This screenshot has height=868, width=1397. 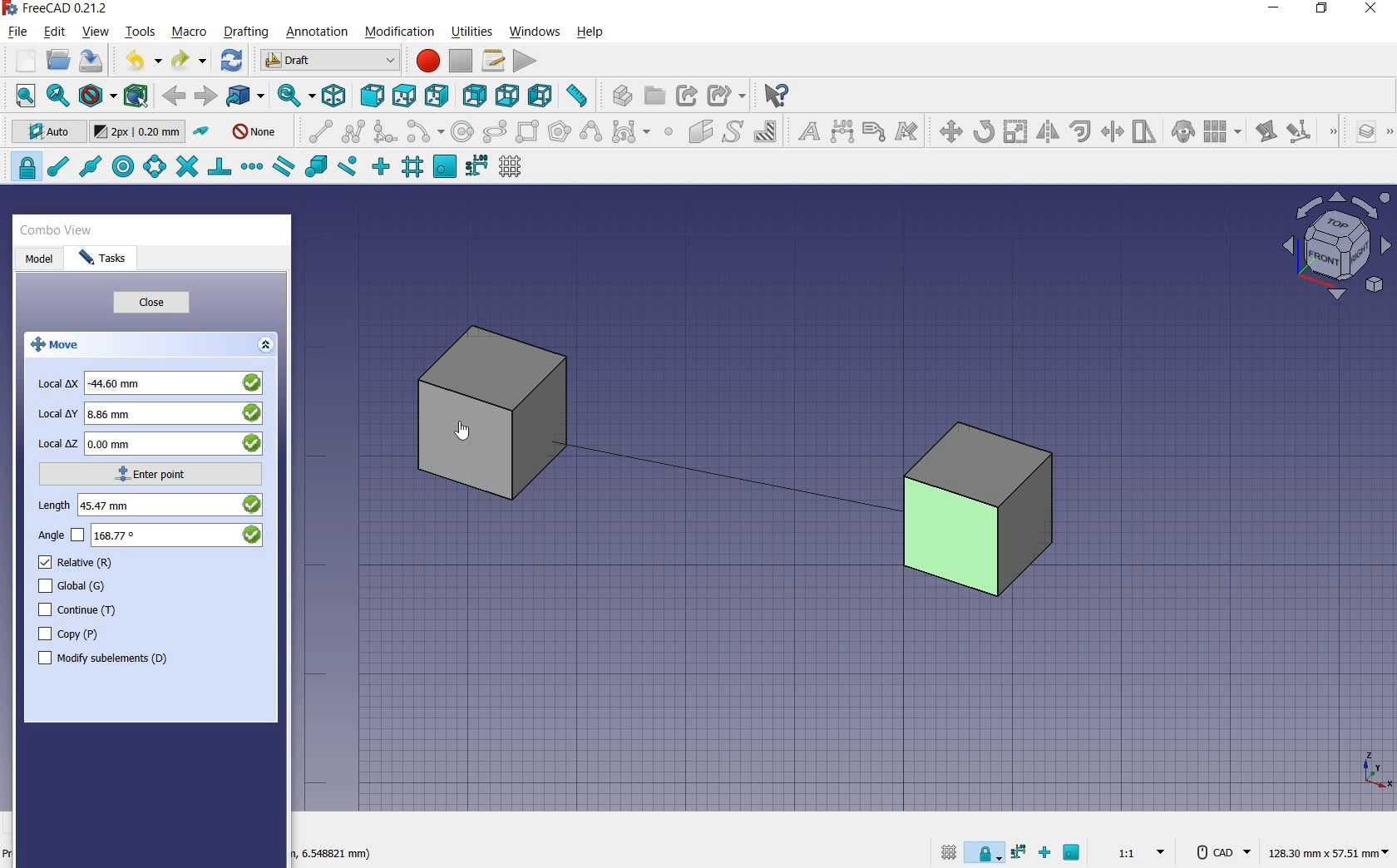 I want to click on bottom, so click(x=507, y=94).